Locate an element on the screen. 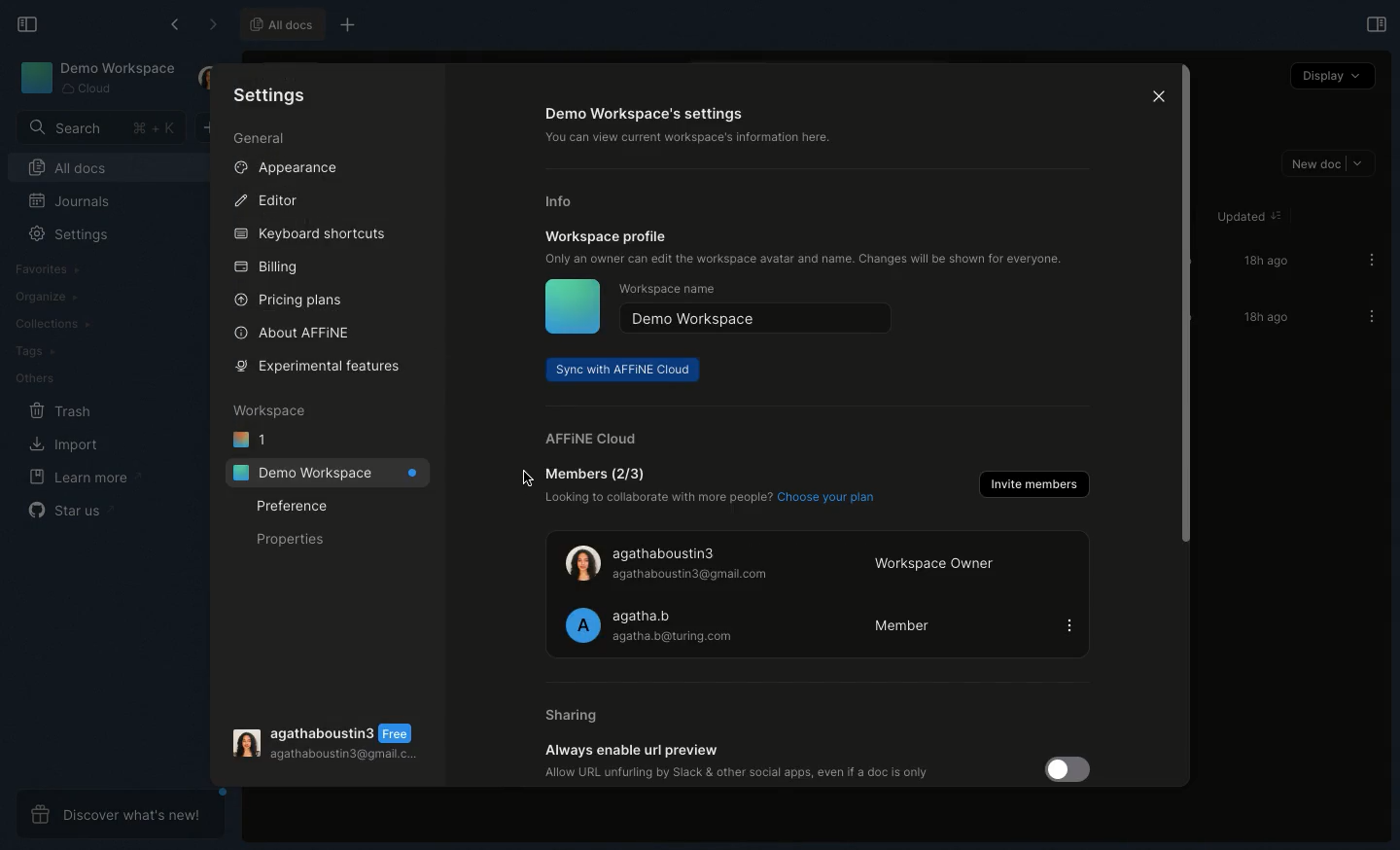 The height and width of the screenshot is (850, 1400). Member 2 is located at coordinates (815, 623).